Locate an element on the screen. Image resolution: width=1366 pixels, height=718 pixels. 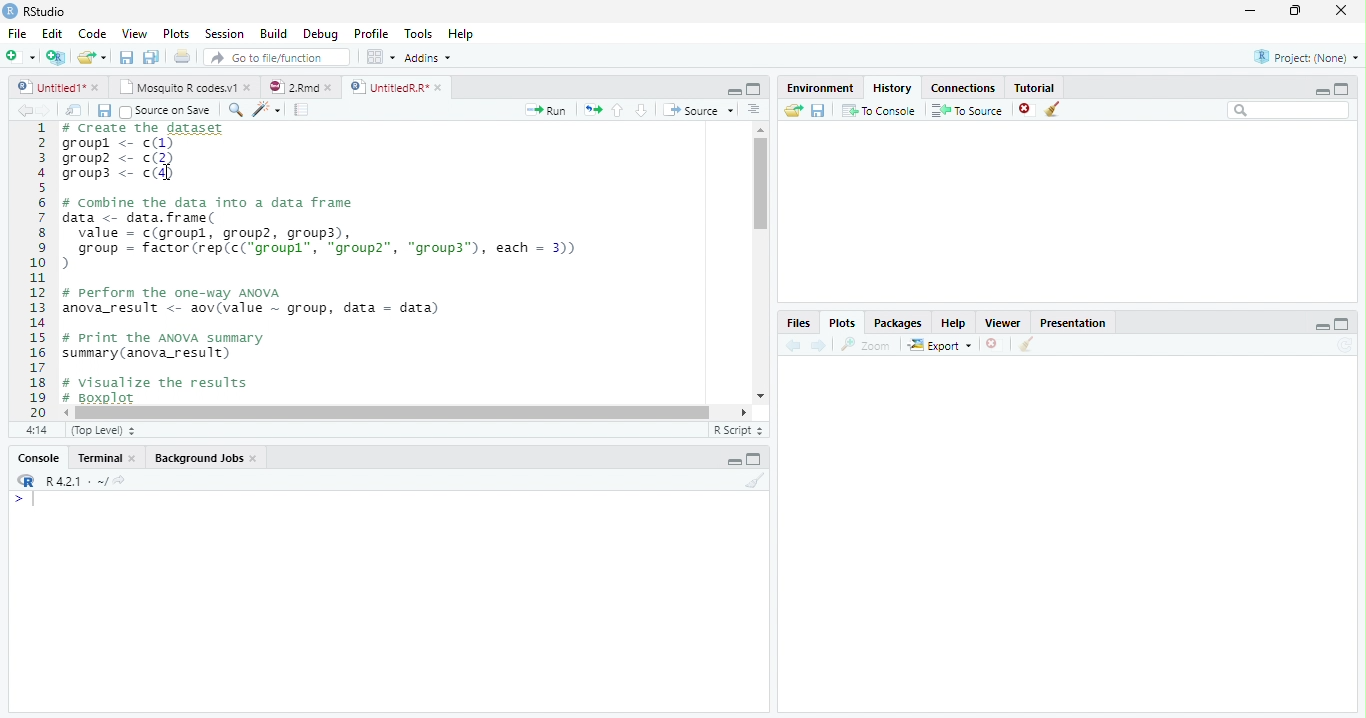
Minimize is located at coordinates (734, 463).